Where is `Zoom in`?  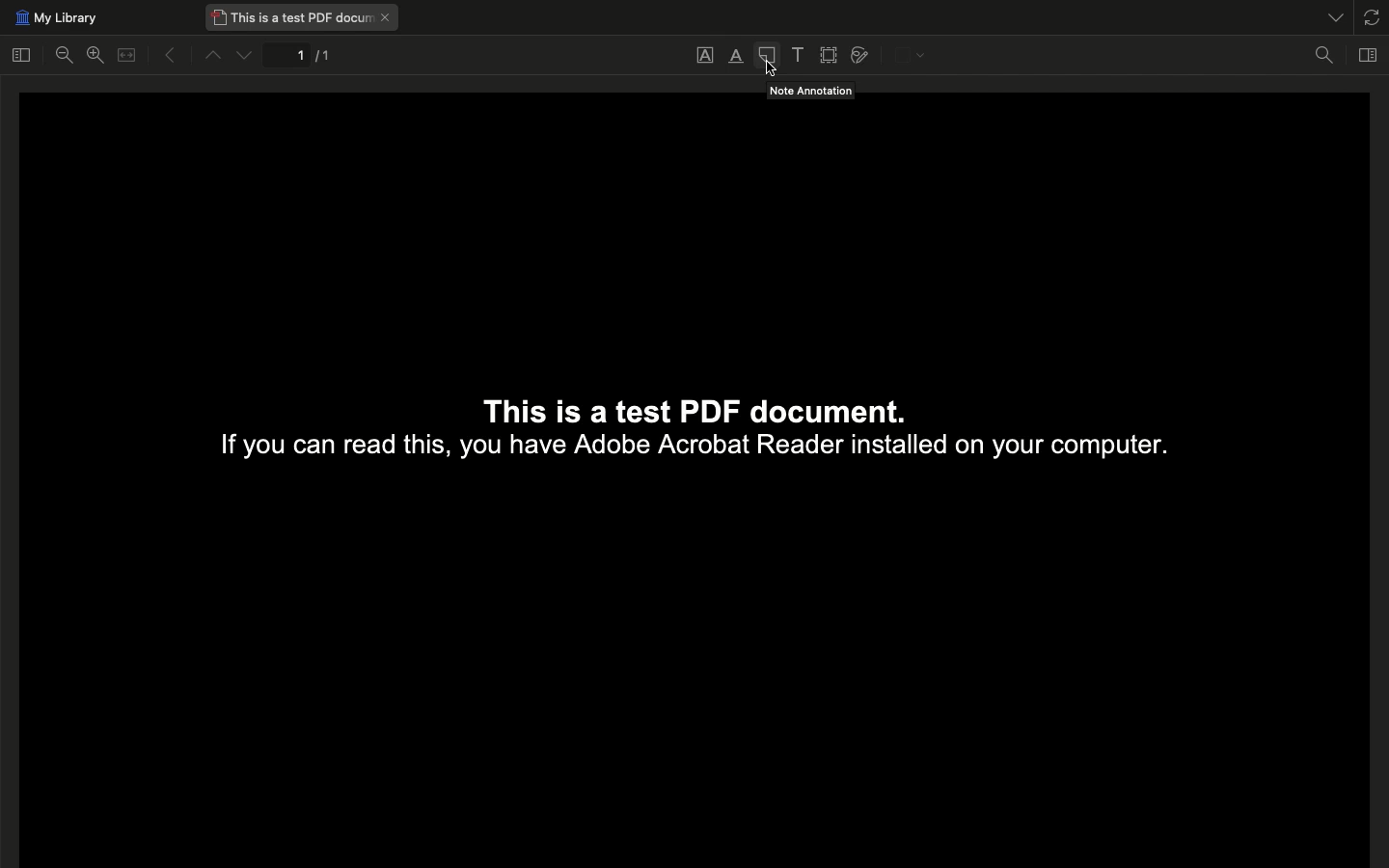 Zoom in is located at coordinates (95, 55).